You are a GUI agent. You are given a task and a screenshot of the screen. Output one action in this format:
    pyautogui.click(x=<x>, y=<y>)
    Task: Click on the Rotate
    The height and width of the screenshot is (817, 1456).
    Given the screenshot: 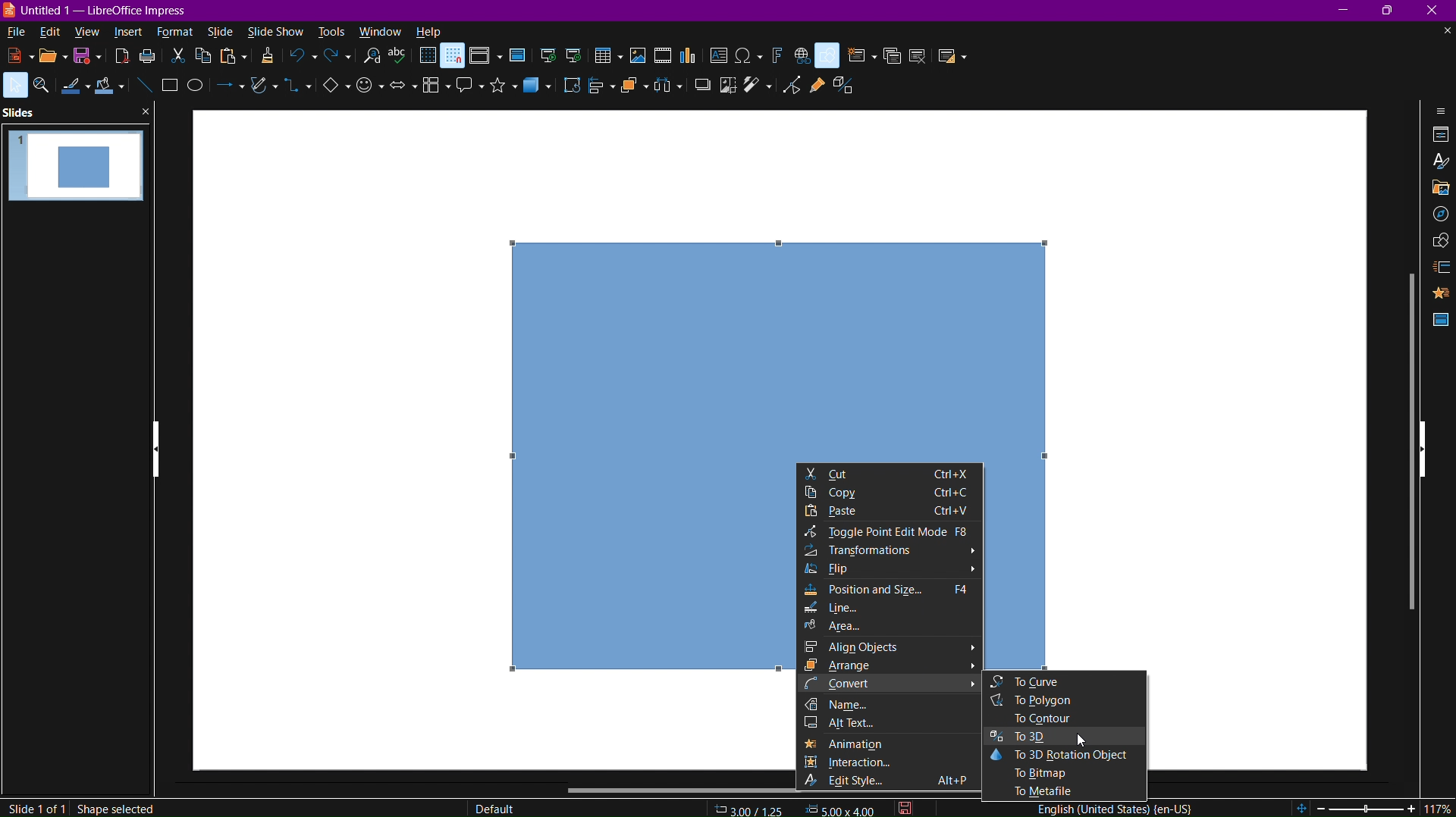 What is the action you would take?
    pyautogui.click(x=573, y=90)
    